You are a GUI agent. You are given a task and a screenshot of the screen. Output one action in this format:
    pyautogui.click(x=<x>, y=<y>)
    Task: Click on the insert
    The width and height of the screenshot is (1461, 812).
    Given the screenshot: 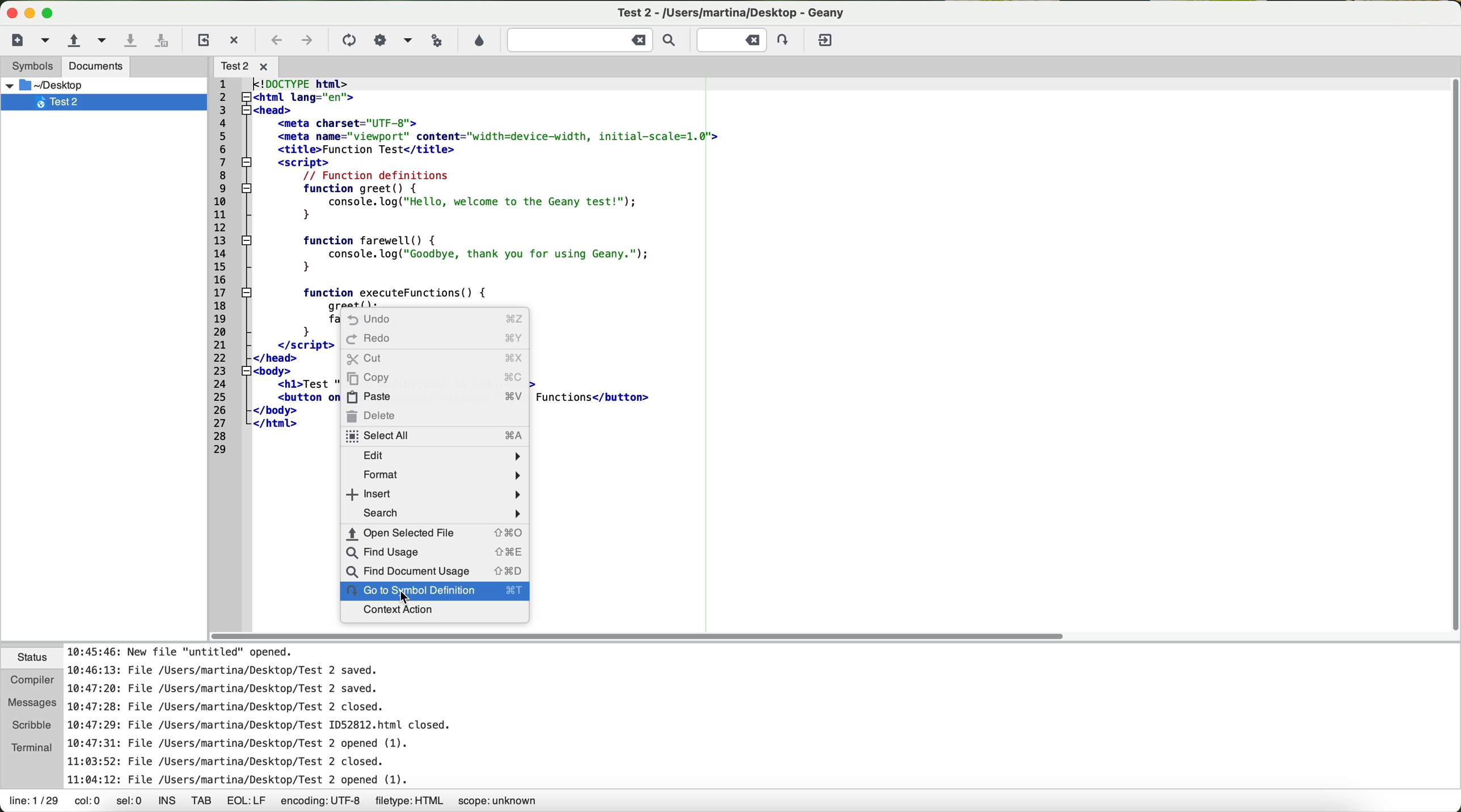 What is the action you would take?
    pyautogui.click(x=433, y=493)
    